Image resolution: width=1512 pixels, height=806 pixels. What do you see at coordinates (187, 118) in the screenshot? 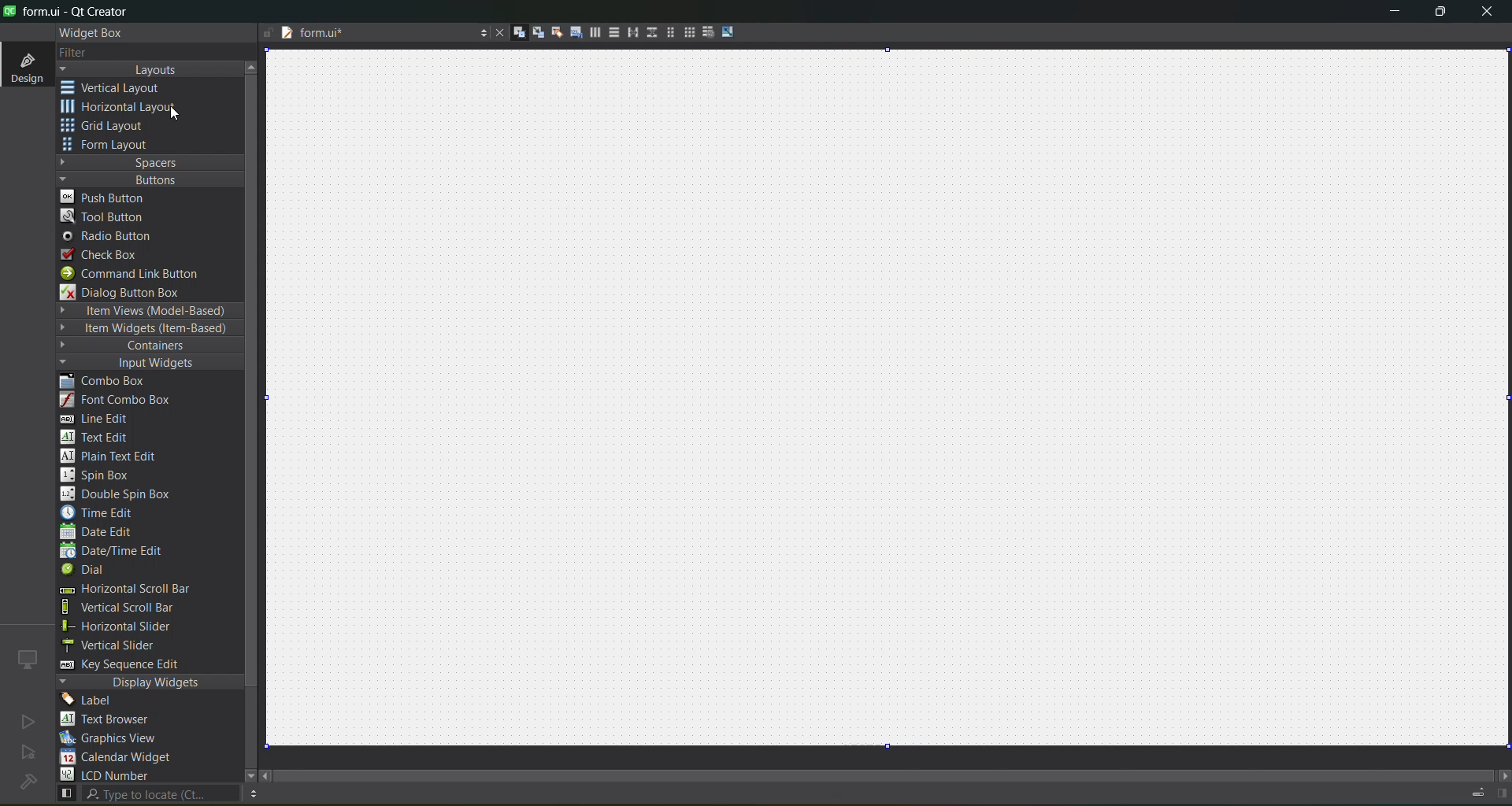
I see `cursor` at bounding box center [187, 118].